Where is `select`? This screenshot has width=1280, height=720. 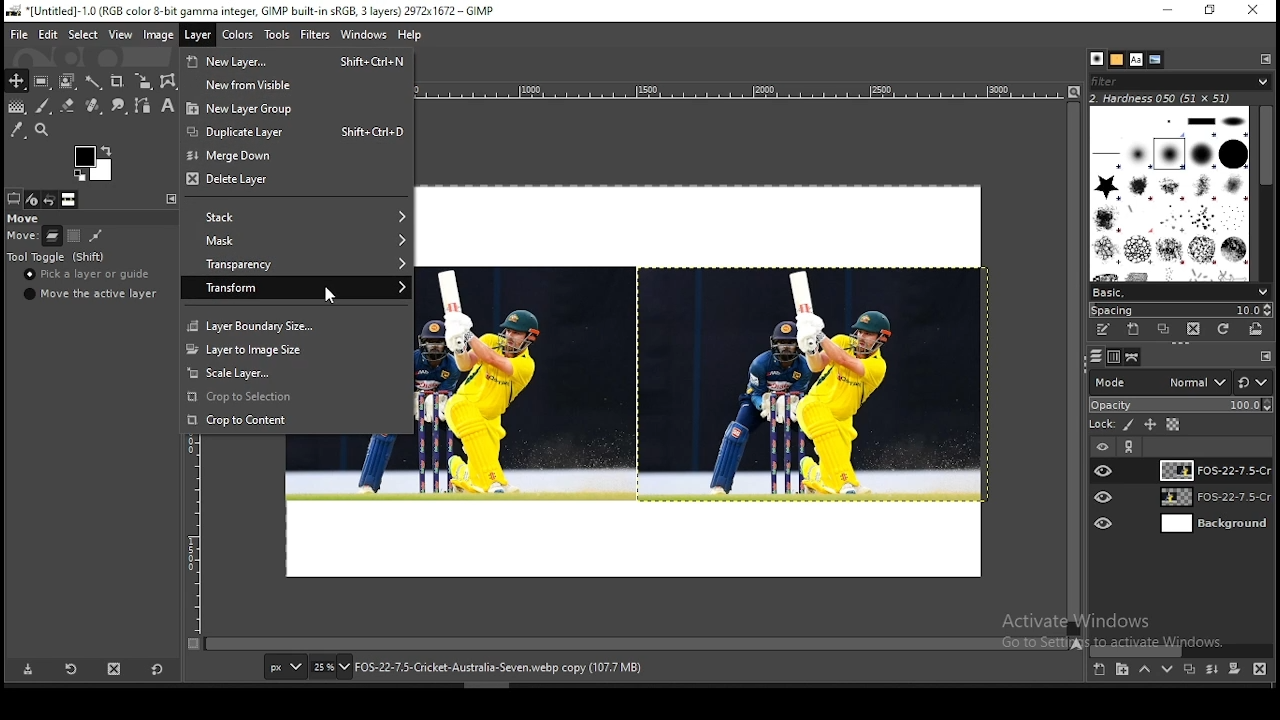 select is located at coordinates (84, 36).